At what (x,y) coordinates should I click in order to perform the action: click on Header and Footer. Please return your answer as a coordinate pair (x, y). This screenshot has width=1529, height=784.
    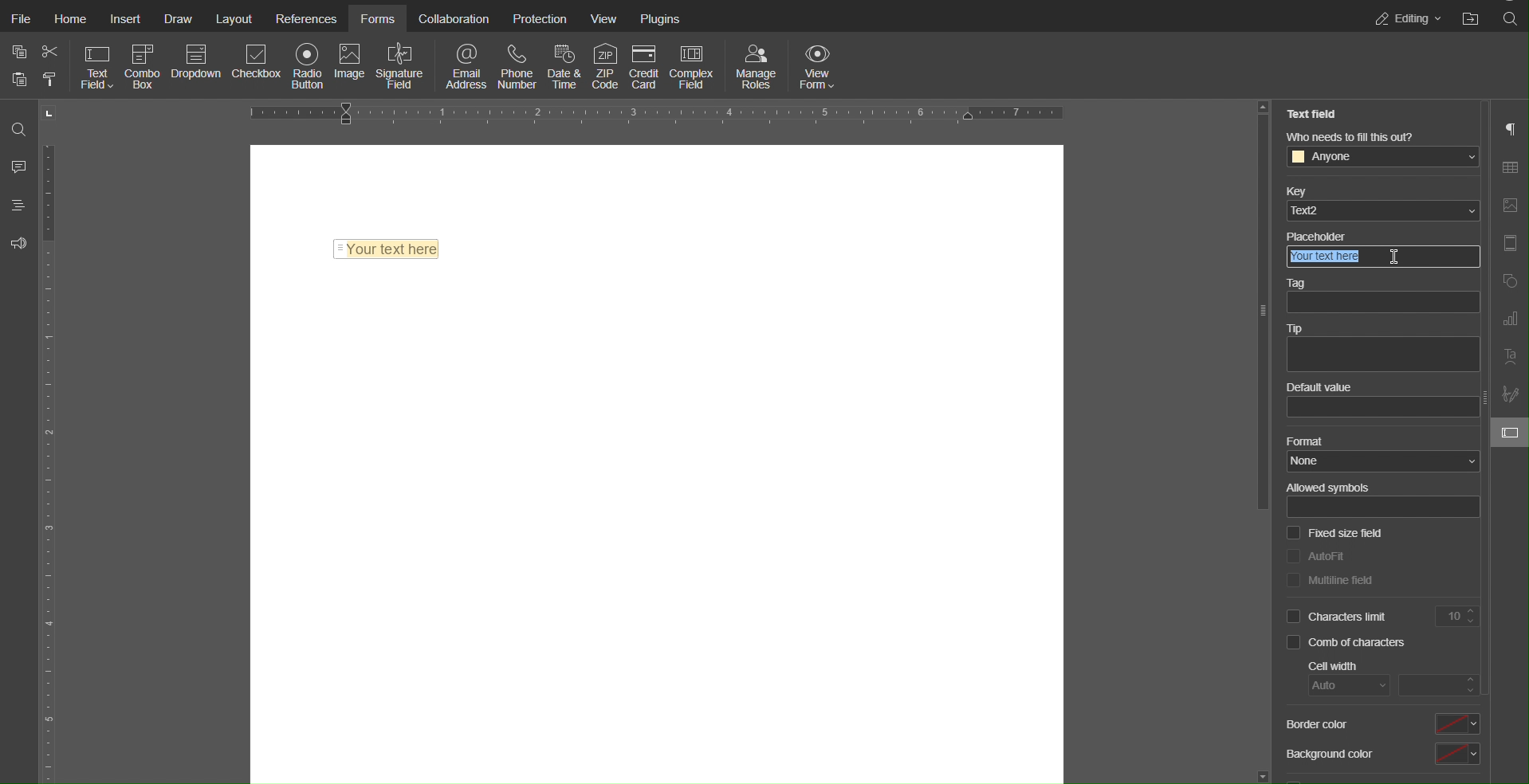
    Looking at the image, I should click on (1509, 243).